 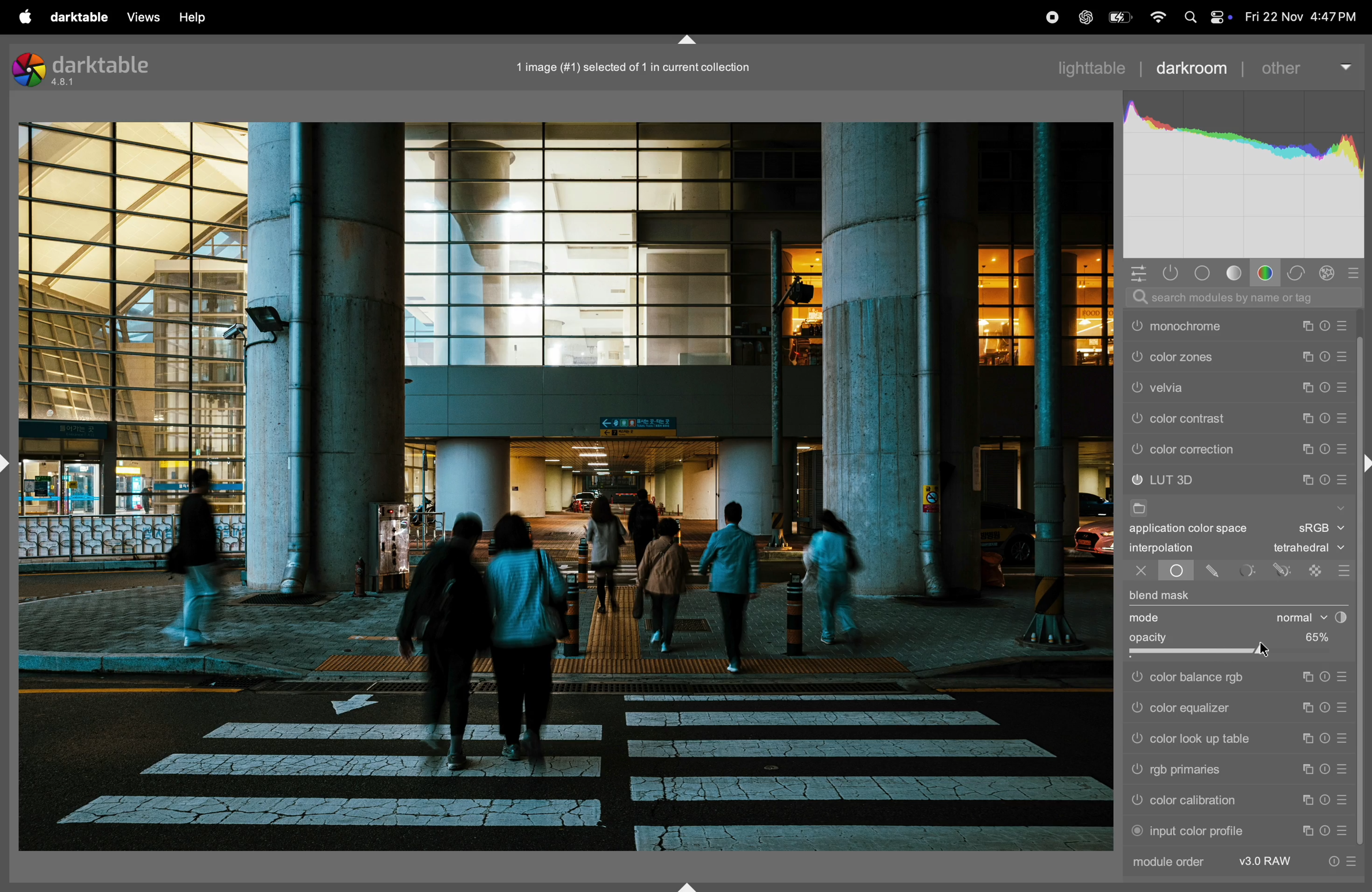 I want to click on reset, so click(x=1325, y=322).